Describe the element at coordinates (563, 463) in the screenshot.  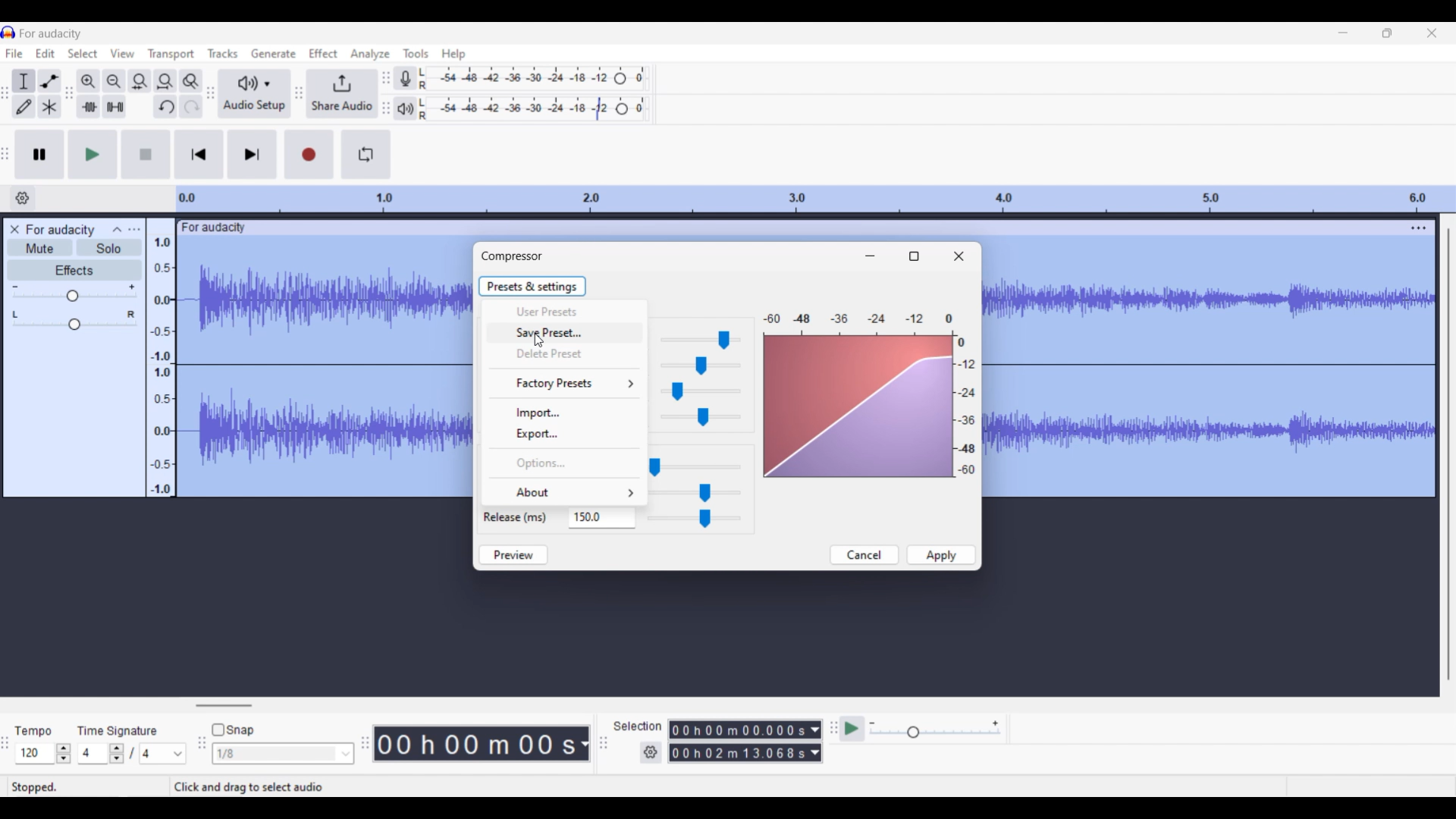
I see `Options` at that location.